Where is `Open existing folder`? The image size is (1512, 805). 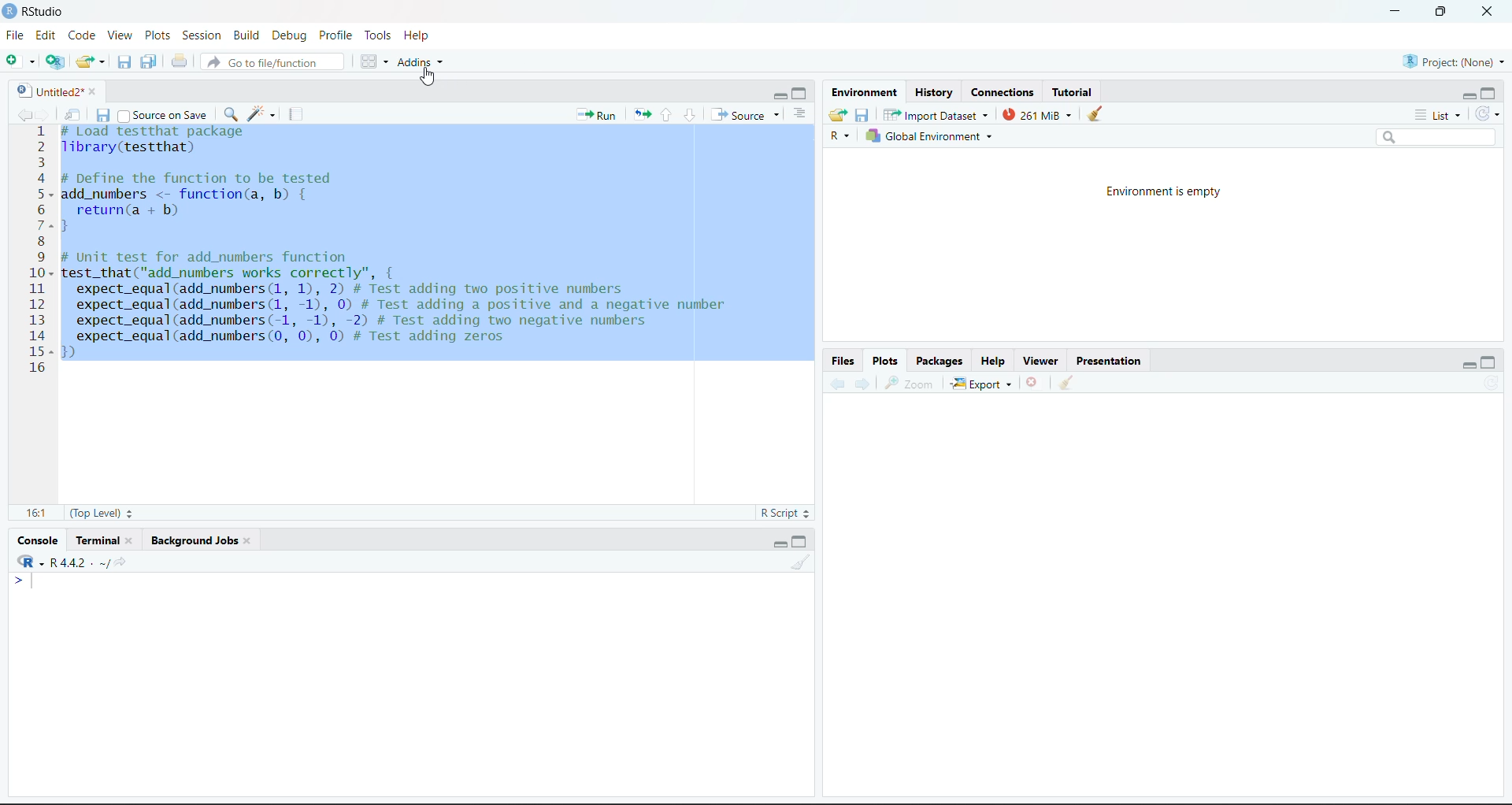
Open existing folder is located at coordinates (89, 61).